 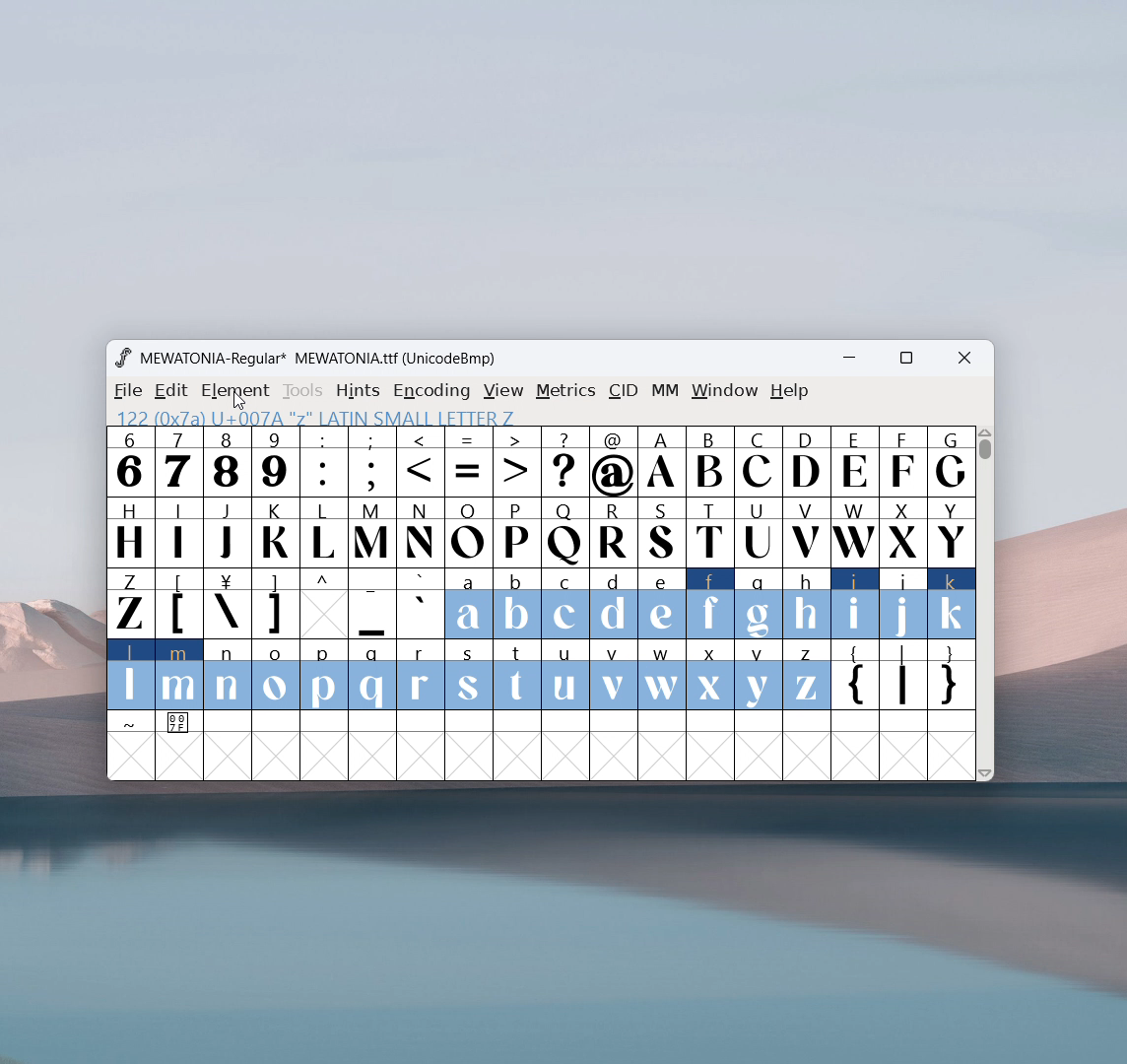 I want to click on B, so click(x=709, y=462).